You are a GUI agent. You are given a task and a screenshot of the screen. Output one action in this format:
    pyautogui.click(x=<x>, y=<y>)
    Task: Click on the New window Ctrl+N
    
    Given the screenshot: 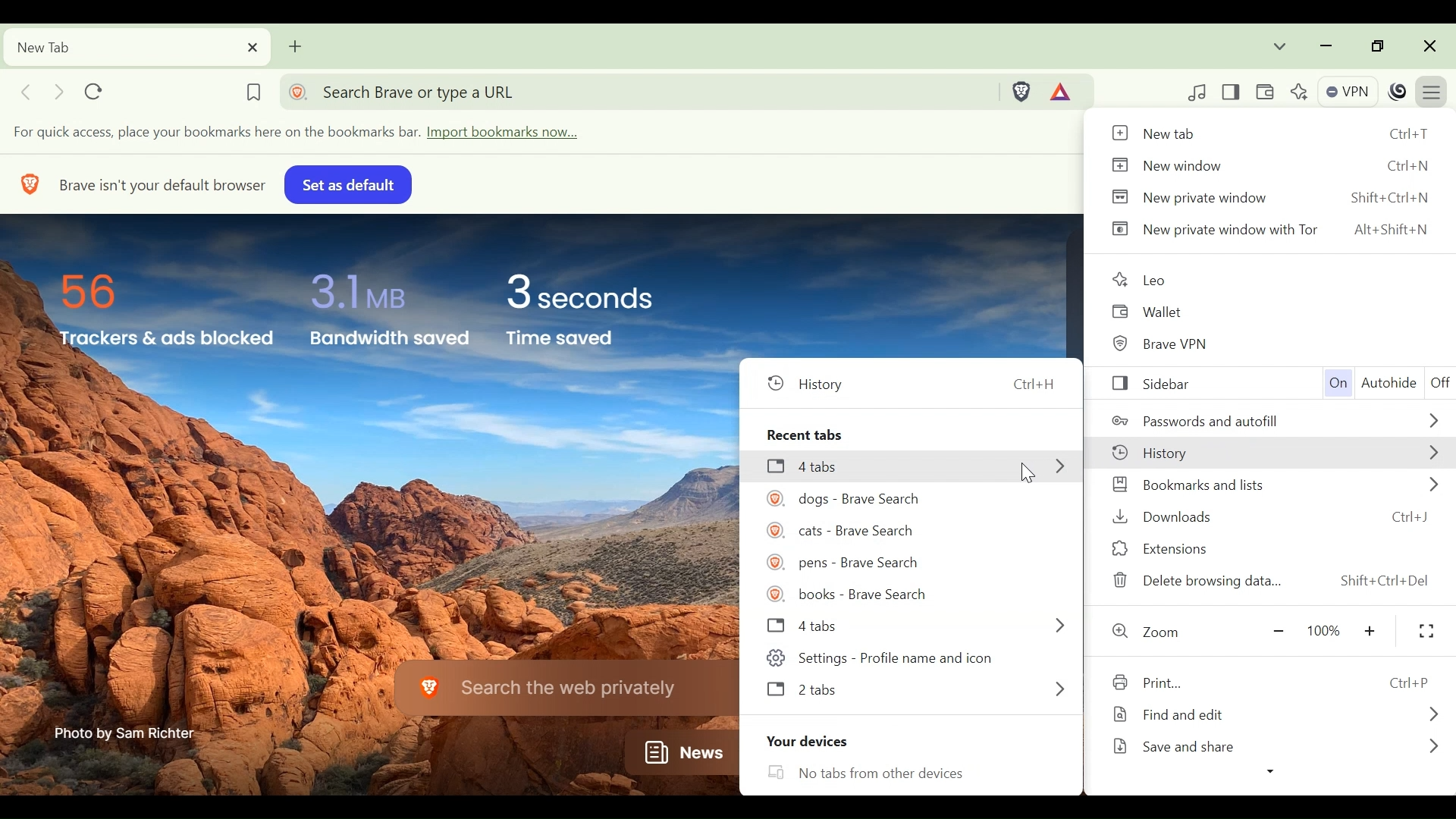 What is the action you would take?
    pyautogui.click(x=1271, y=165)
    